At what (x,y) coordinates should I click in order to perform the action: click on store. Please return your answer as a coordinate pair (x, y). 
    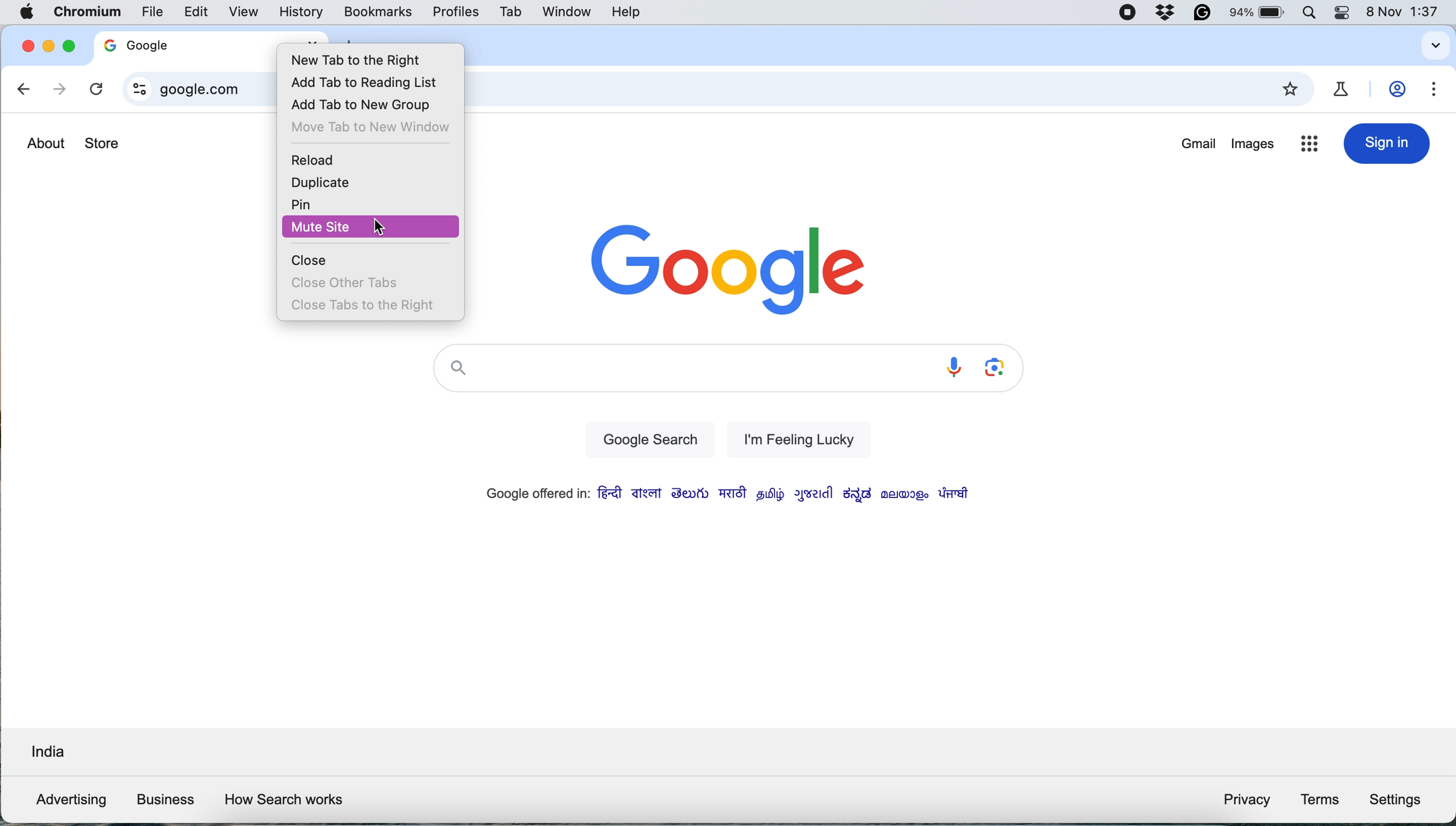
    Looking at the image, I should click on (103, 145).